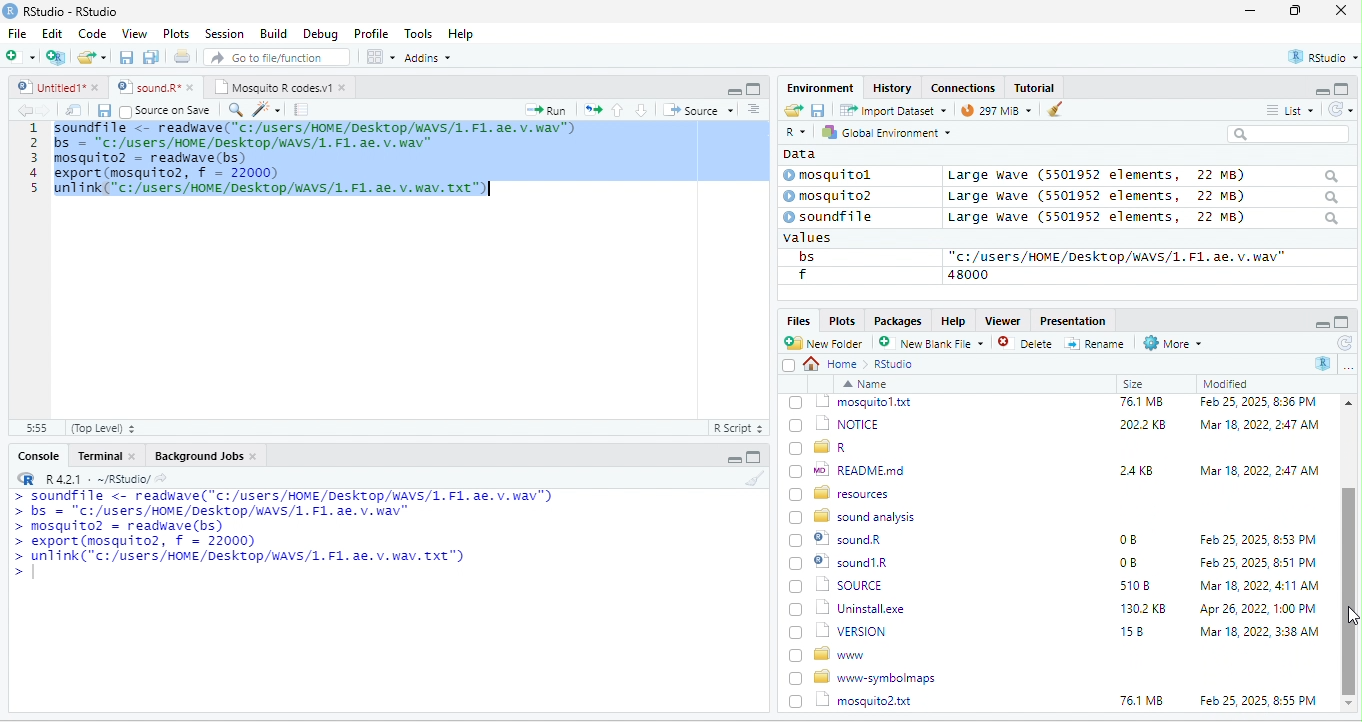  Describe the element at coordinates (855, 634) in the screenshot. I see `8 sound analysis` at that location.